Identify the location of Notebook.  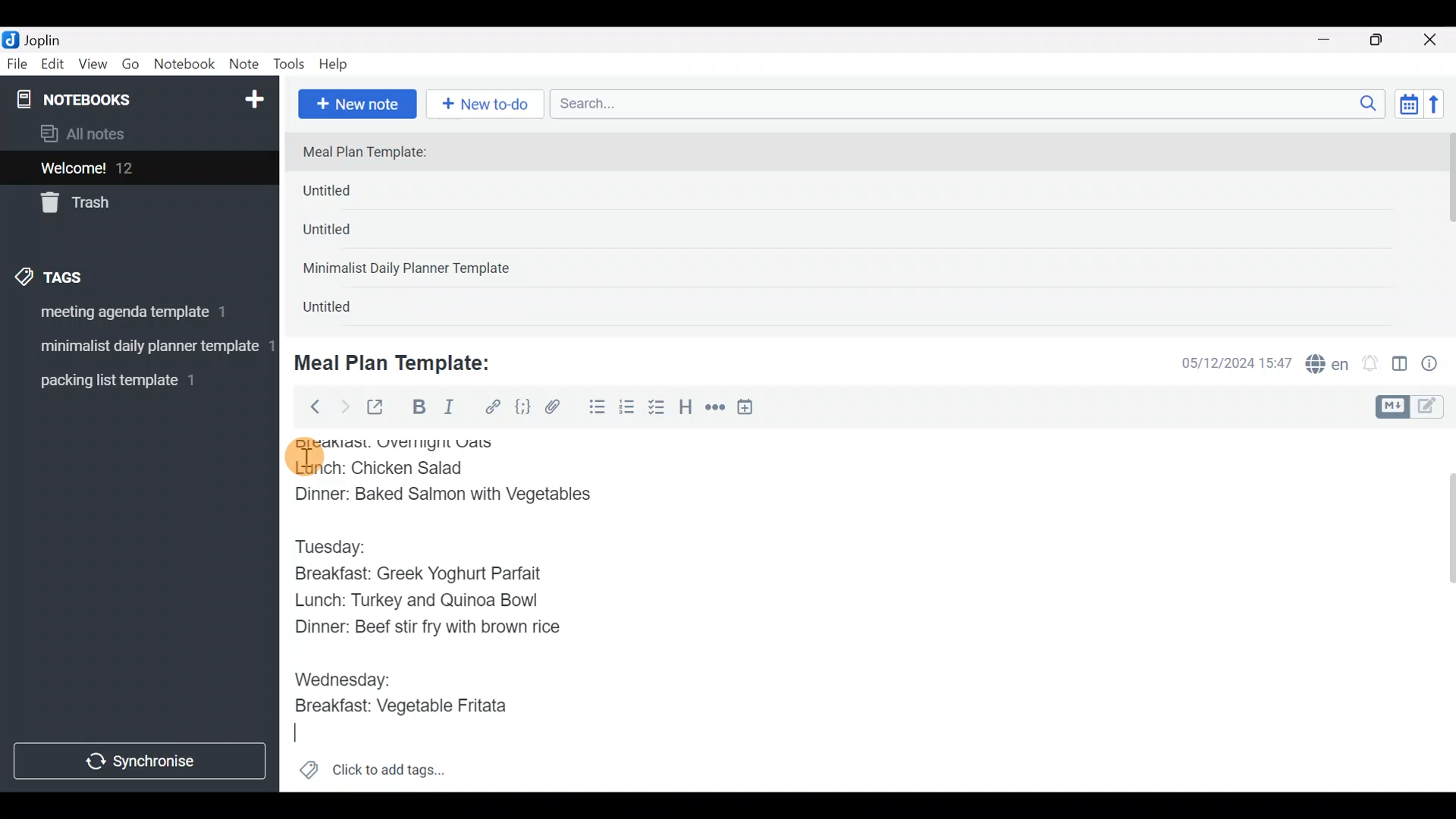
(185, 64).